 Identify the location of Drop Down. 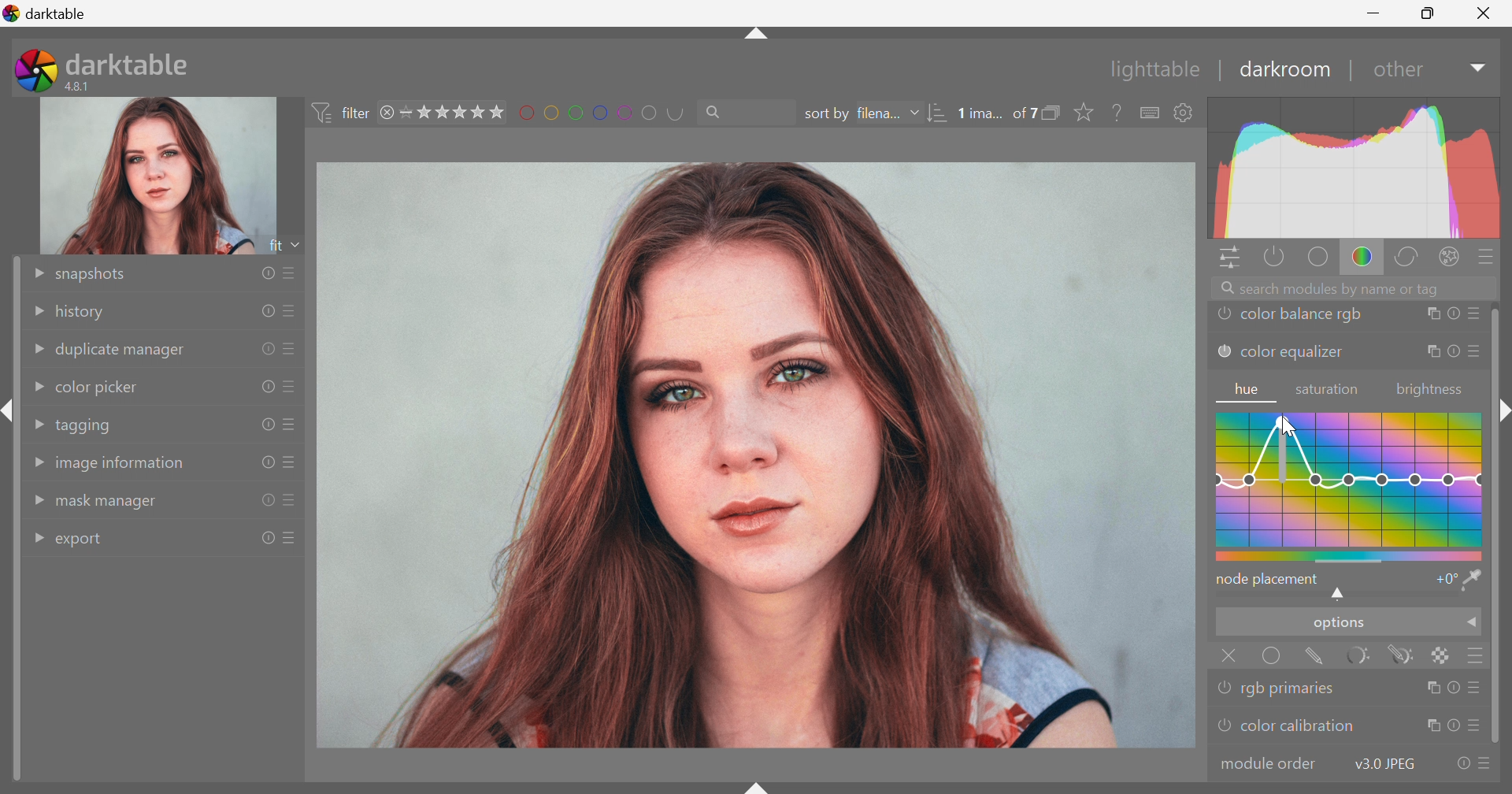
(36, 351).